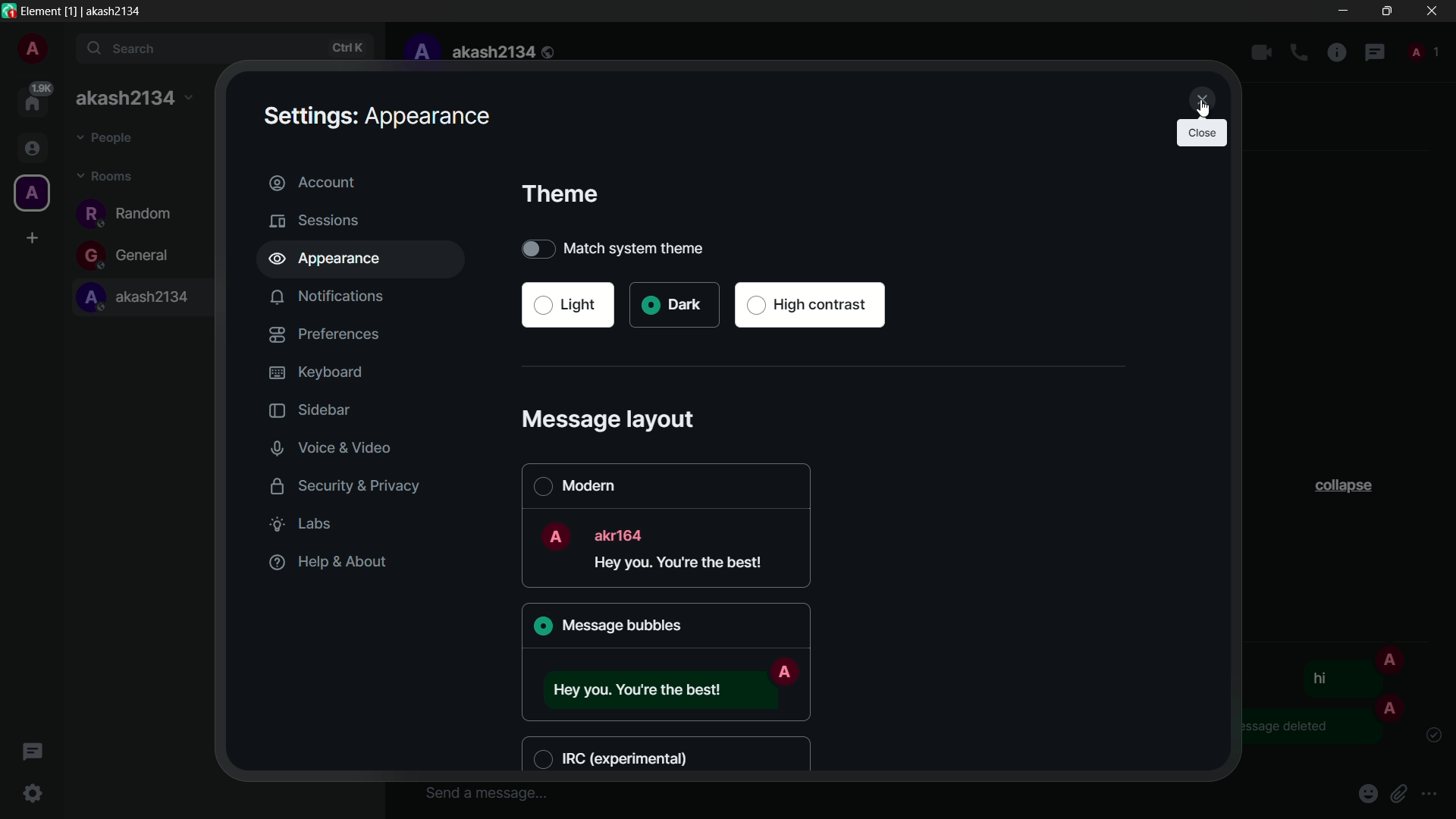 The image size is (1456, 819). What do you see at coordinates (1345, 11) in the screenshot?
I see `minimize` at bounding box center [1345, 11].